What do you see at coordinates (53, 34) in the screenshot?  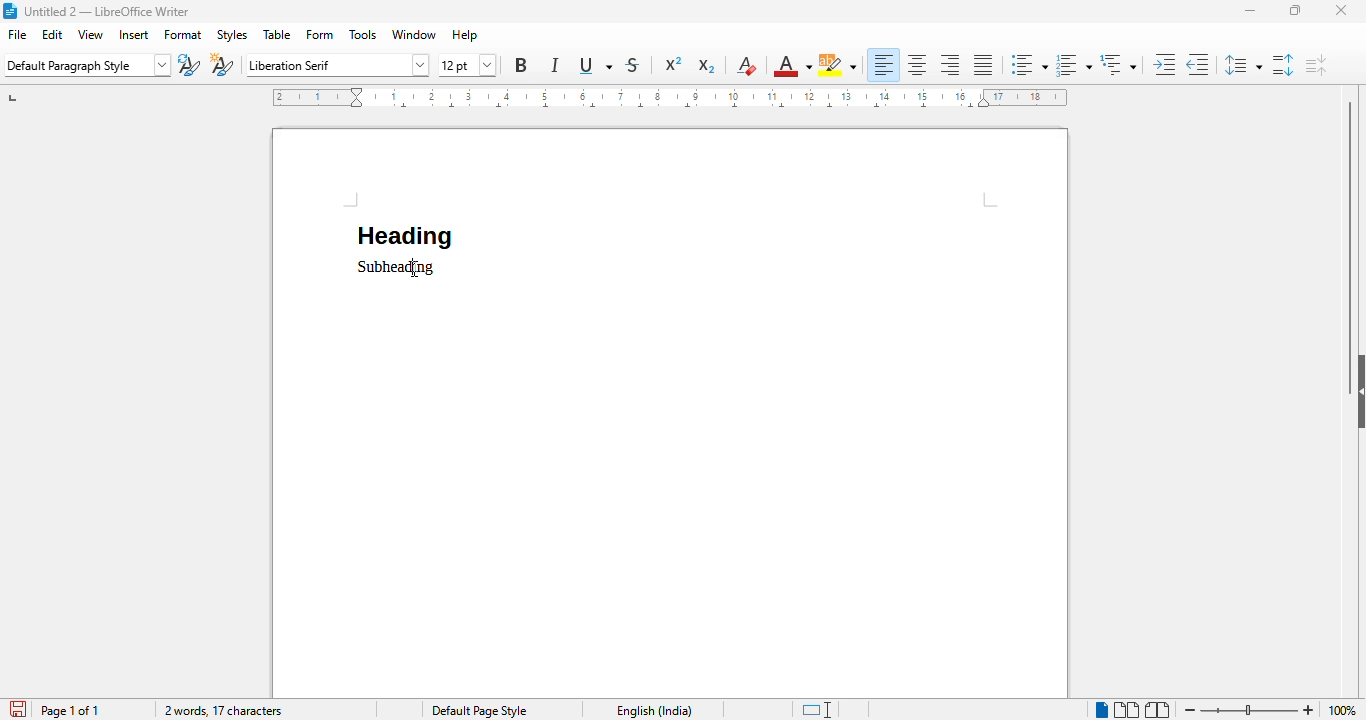 I see `edit` at bounding box center [53, 34].